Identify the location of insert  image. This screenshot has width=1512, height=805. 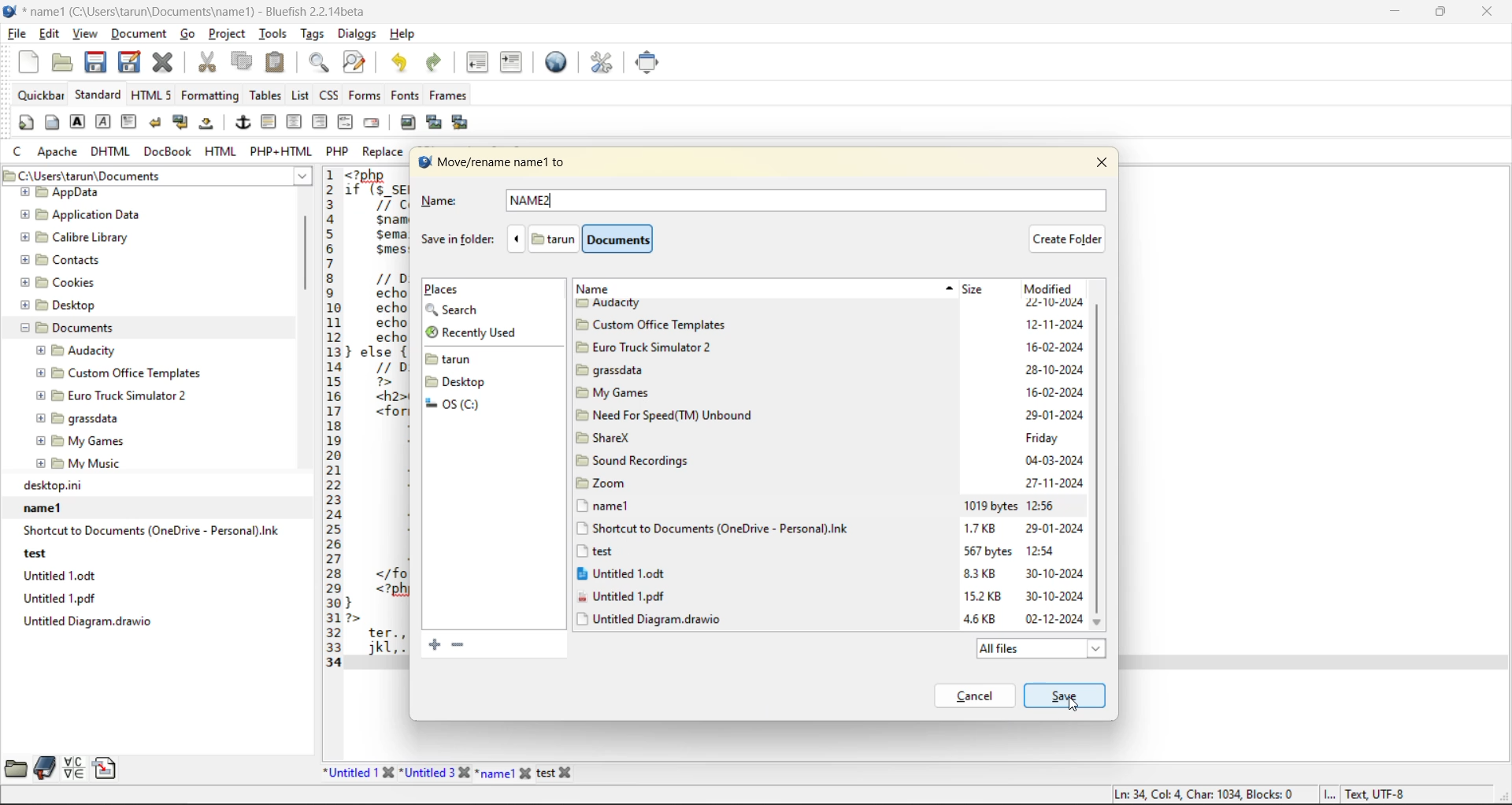
(409, 121).